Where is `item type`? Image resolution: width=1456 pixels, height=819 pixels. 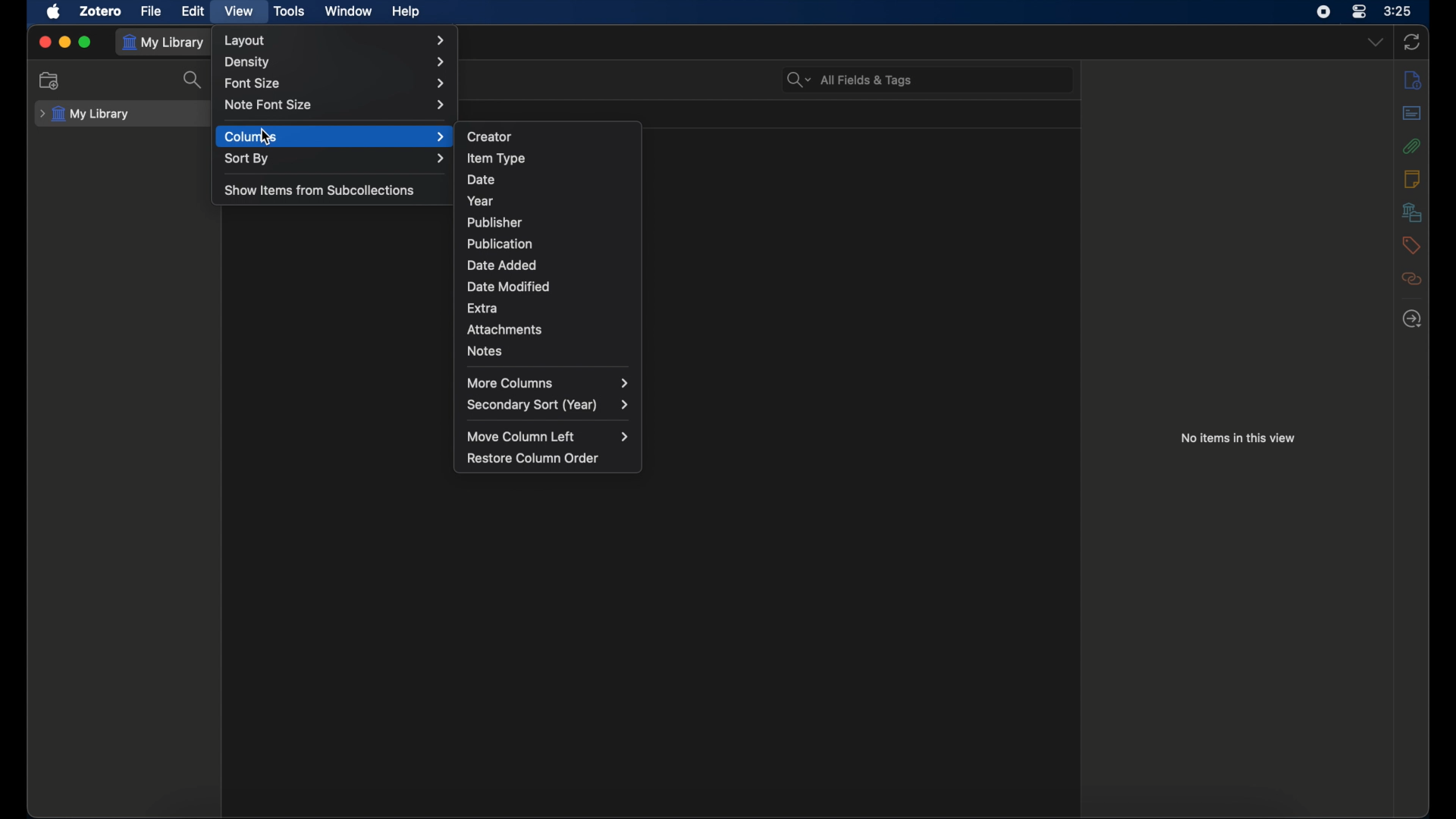 item type is located at coordinates (496, 158).